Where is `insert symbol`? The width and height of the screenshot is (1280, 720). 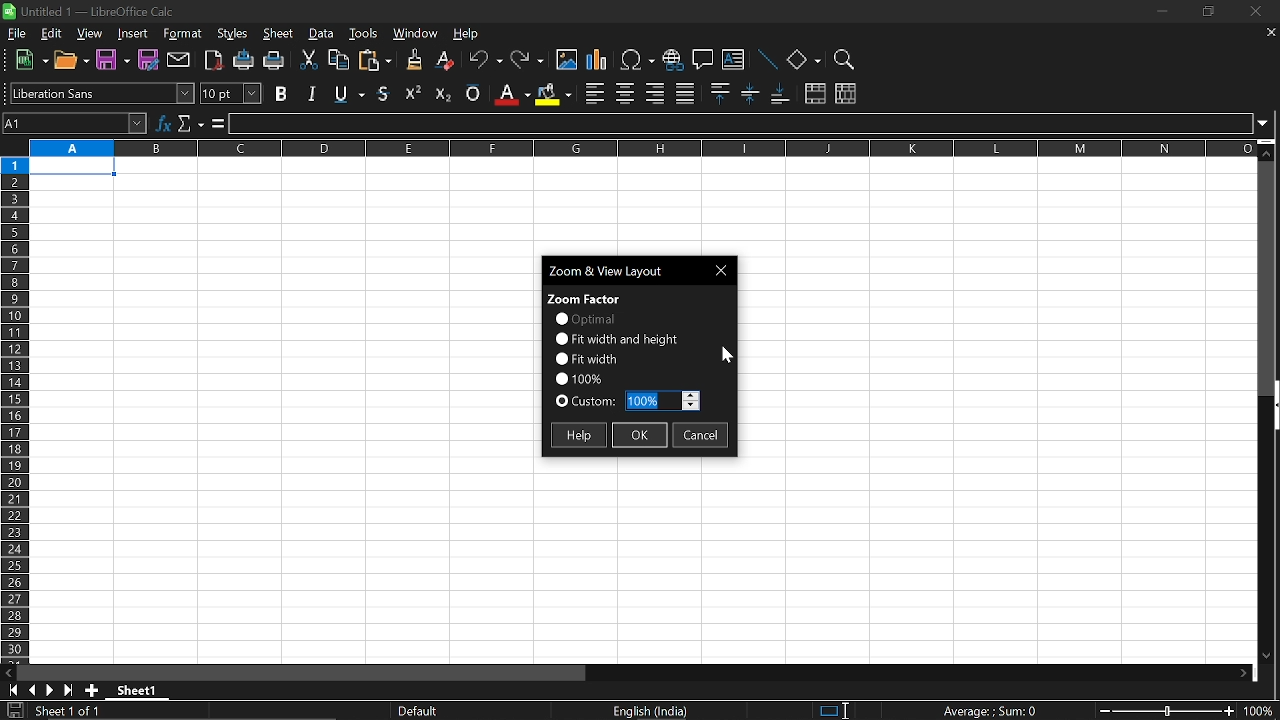 insert symbol is located at coordinates (637, 60).